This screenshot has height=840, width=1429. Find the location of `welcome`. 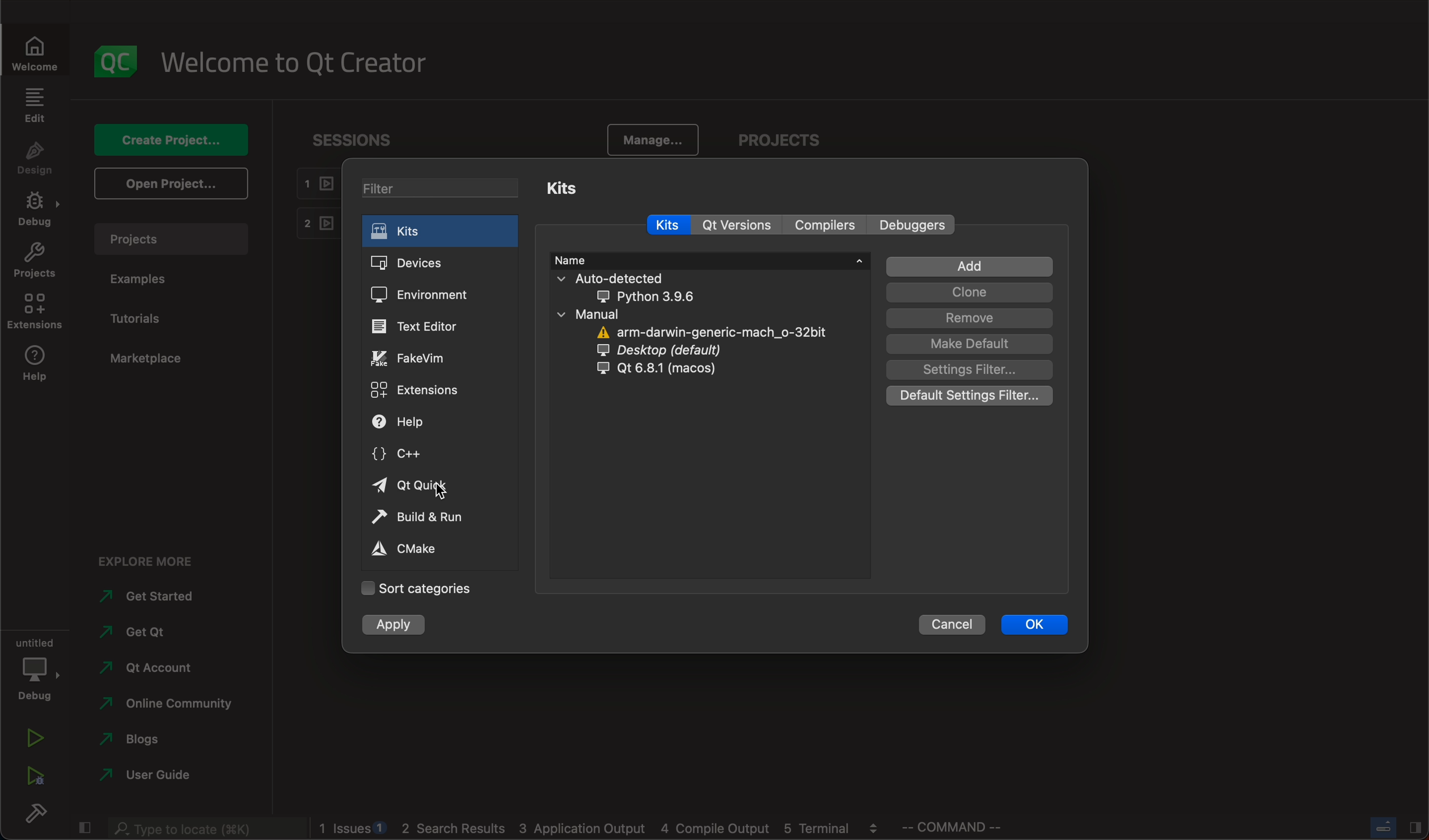

welcome is located at coordinates (297, 63).